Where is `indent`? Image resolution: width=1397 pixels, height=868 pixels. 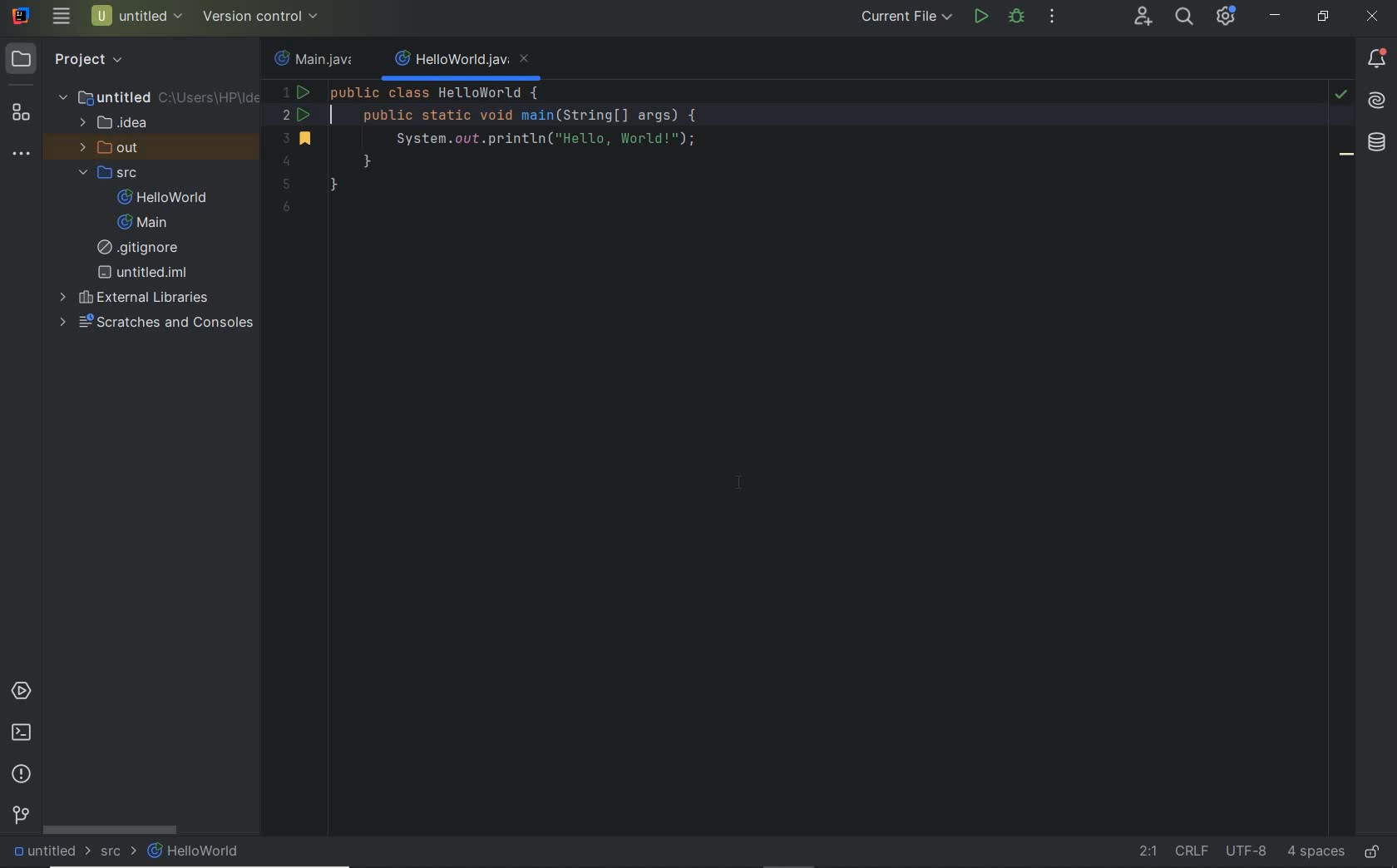 indent is located at coordinates (1316, 854).